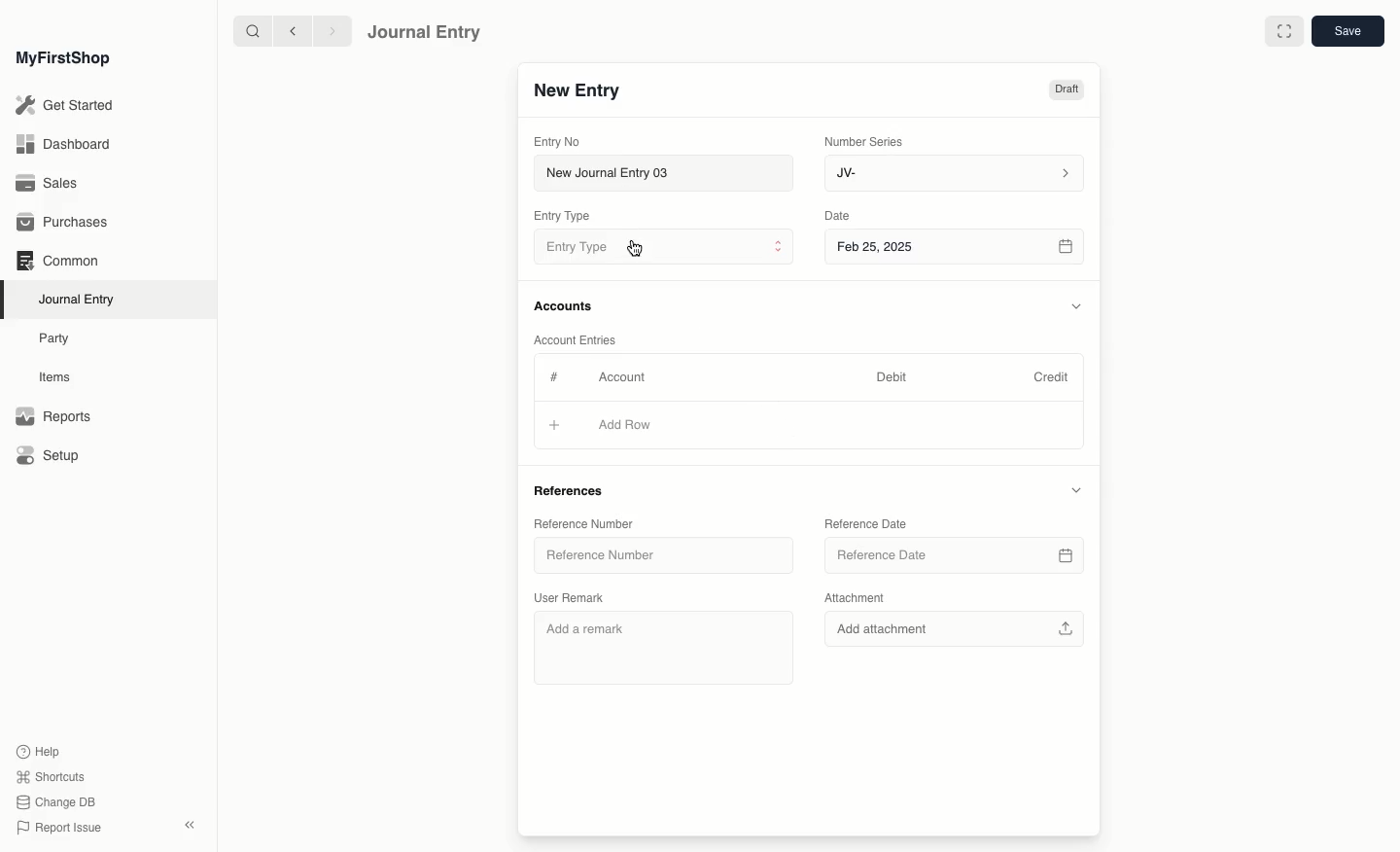 The width and height of the screenshot is (1400, 852). What do you see at coordinates (953, 630) in the screenshot?
I see `Add attachment` at bounding box center [953, 630].